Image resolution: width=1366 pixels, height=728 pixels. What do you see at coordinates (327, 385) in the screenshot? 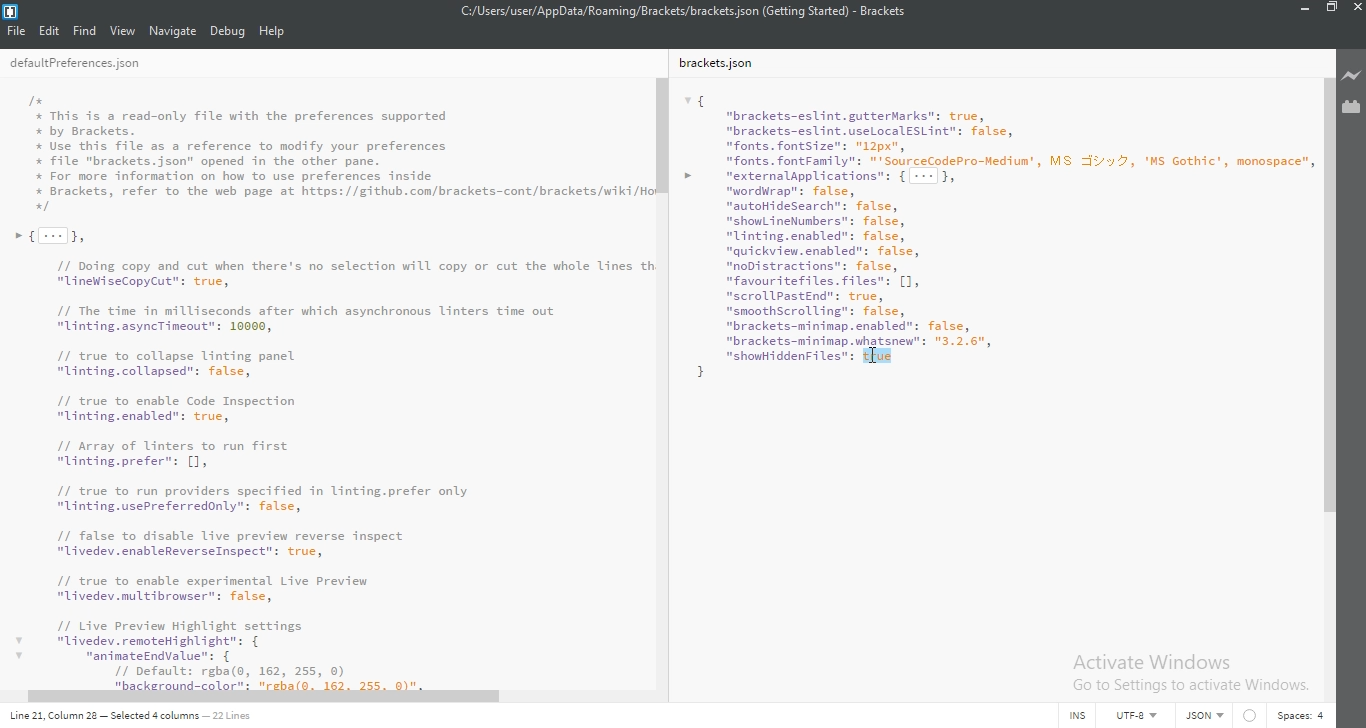
I see `I+# This is a read-only file with the preferences supported# by Brackets.Use this file as a reference to modify your preferences+ file "brackets.json" opened in the other pane.* For more information on how to use preferences inside+ Brackets, refer to the web page at https://github.con/brackets-cont/brackets/wiki/H+»{[-]}// Doing copy and cut when there's no selection will copy or cut the whole Lines t“LineWiseCopyCut": true,// The time in milliseconds after which asynchronous linters time out"linting.asyncTineout": 10000,// true to collapse linting panel"linting.collapsed”: false,// true to enable Code Inspection"linting.enabled": true,71 Array of inters to run first"Unting.prefer"s [1// true to run providers specified in linting.prefer only"linting.usePreferredonly": false,// false to disable live preview reverse inspect"ivedev. enableReverseInspect”: true,11 true to enable experimental Live Preview"Livedev.multibrowser": false,/1 Live Preview Highlight settingsv "livedev.remoteHighlight": {v “aninateEndvalue: {// Default: rgba(o, 162, 255, 0)21` at bounding box center [327, 385].